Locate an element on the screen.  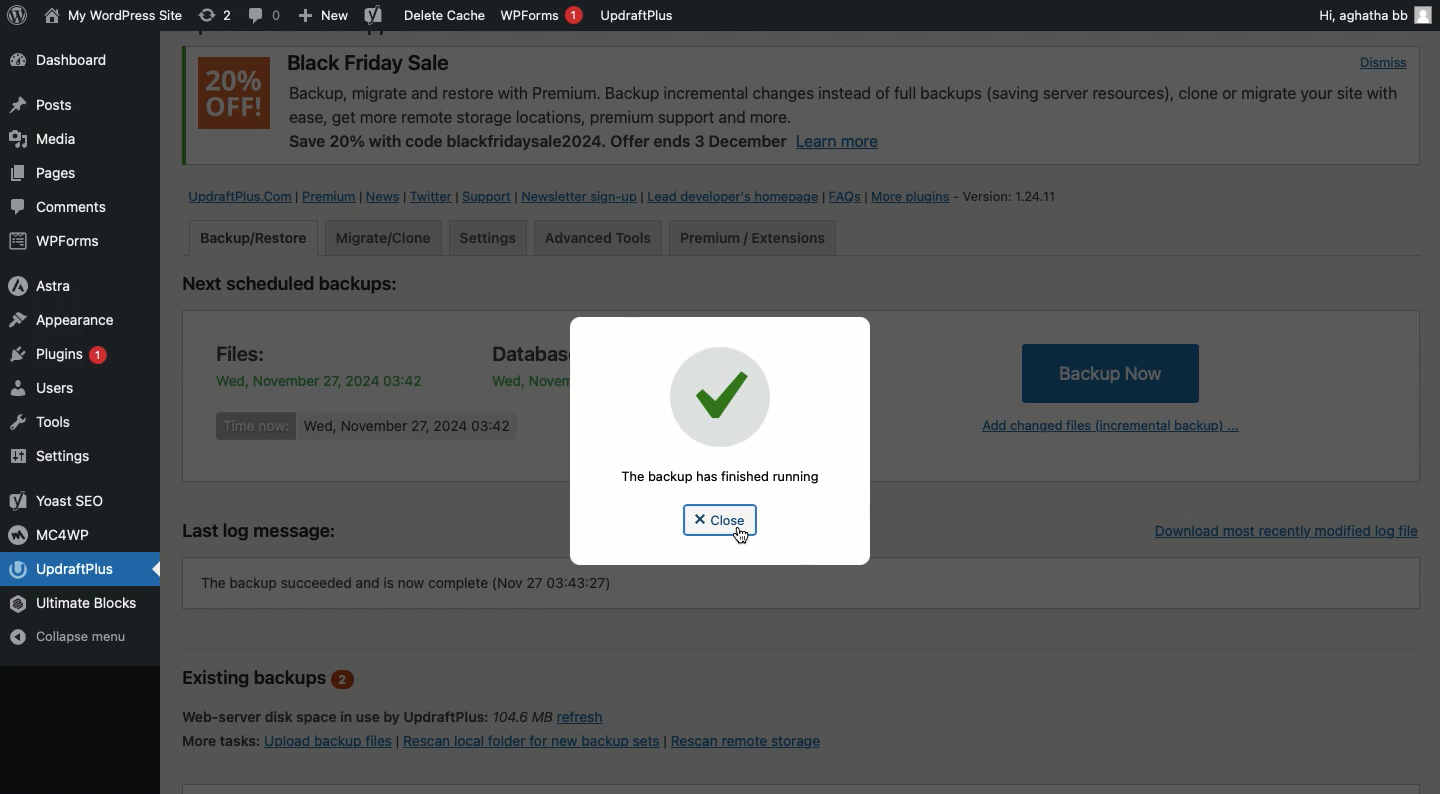
WPForms is located at coordinates (58, 243).